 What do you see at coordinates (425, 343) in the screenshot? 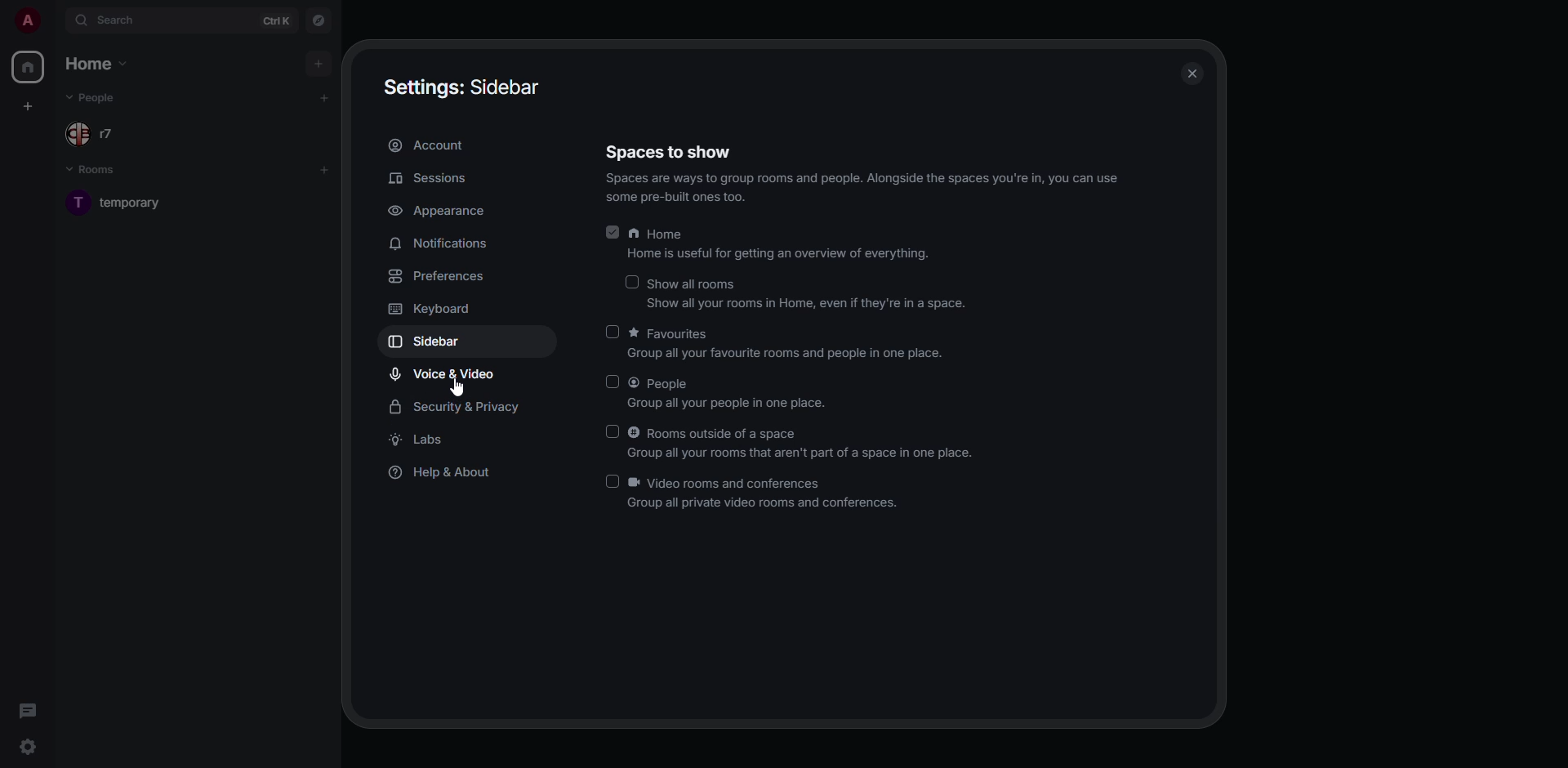
I see `sidebar` at bounding box center [425, 343].